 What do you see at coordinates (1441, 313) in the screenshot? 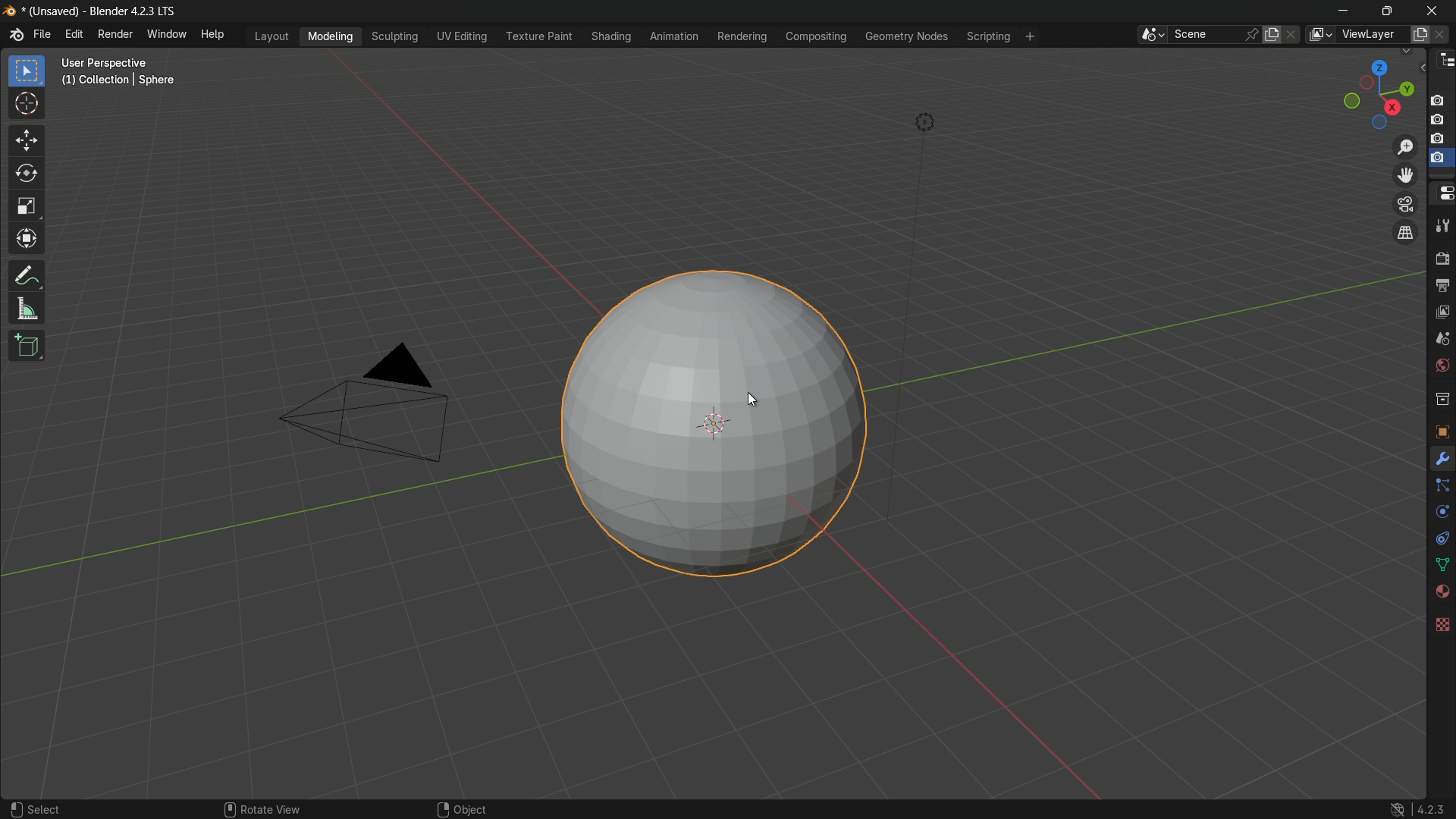
I see `view layer` at bounding box center [1441, 313].